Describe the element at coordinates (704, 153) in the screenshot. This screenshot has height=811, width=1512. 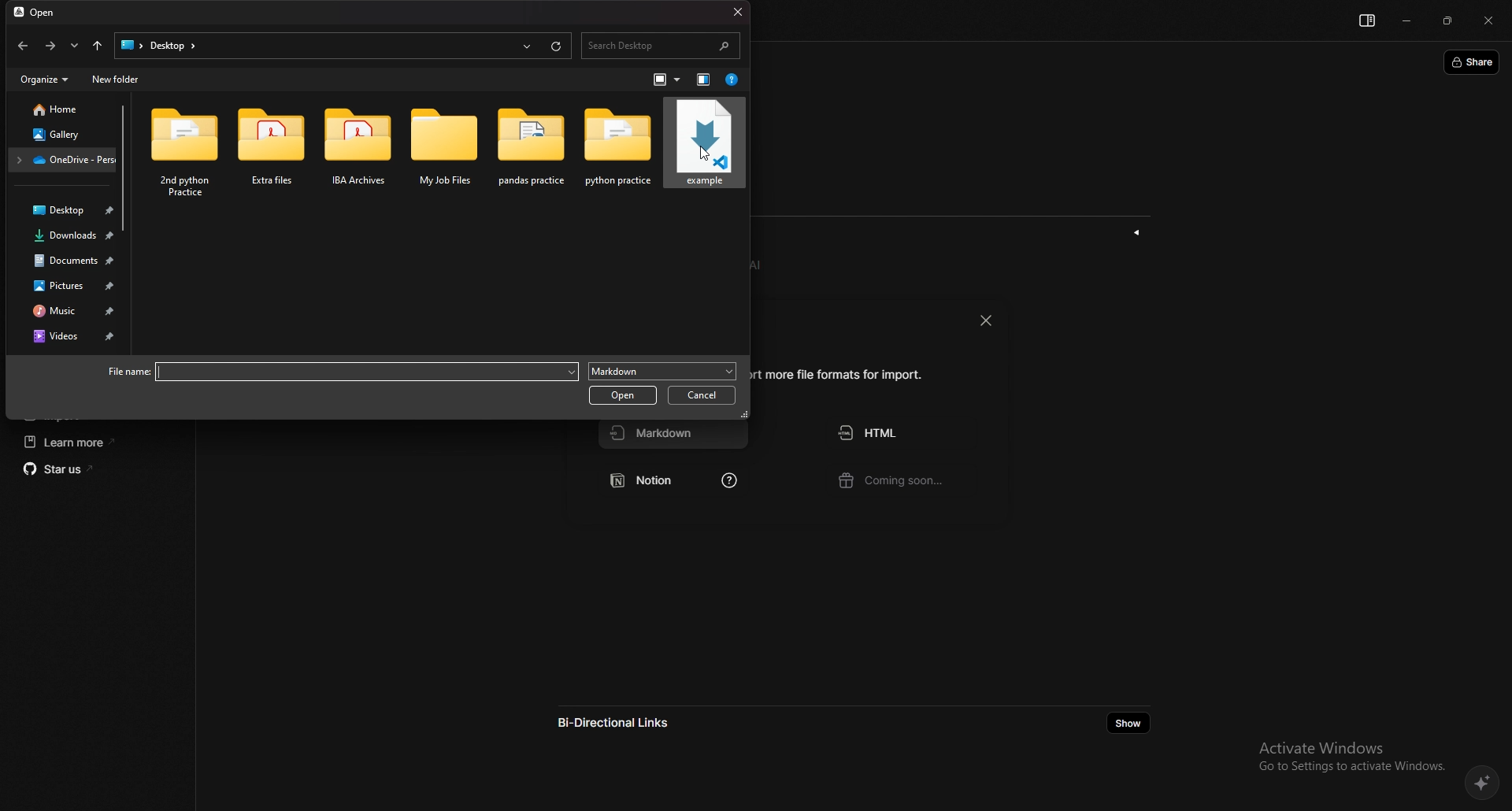
I see `markdown file` at that location.